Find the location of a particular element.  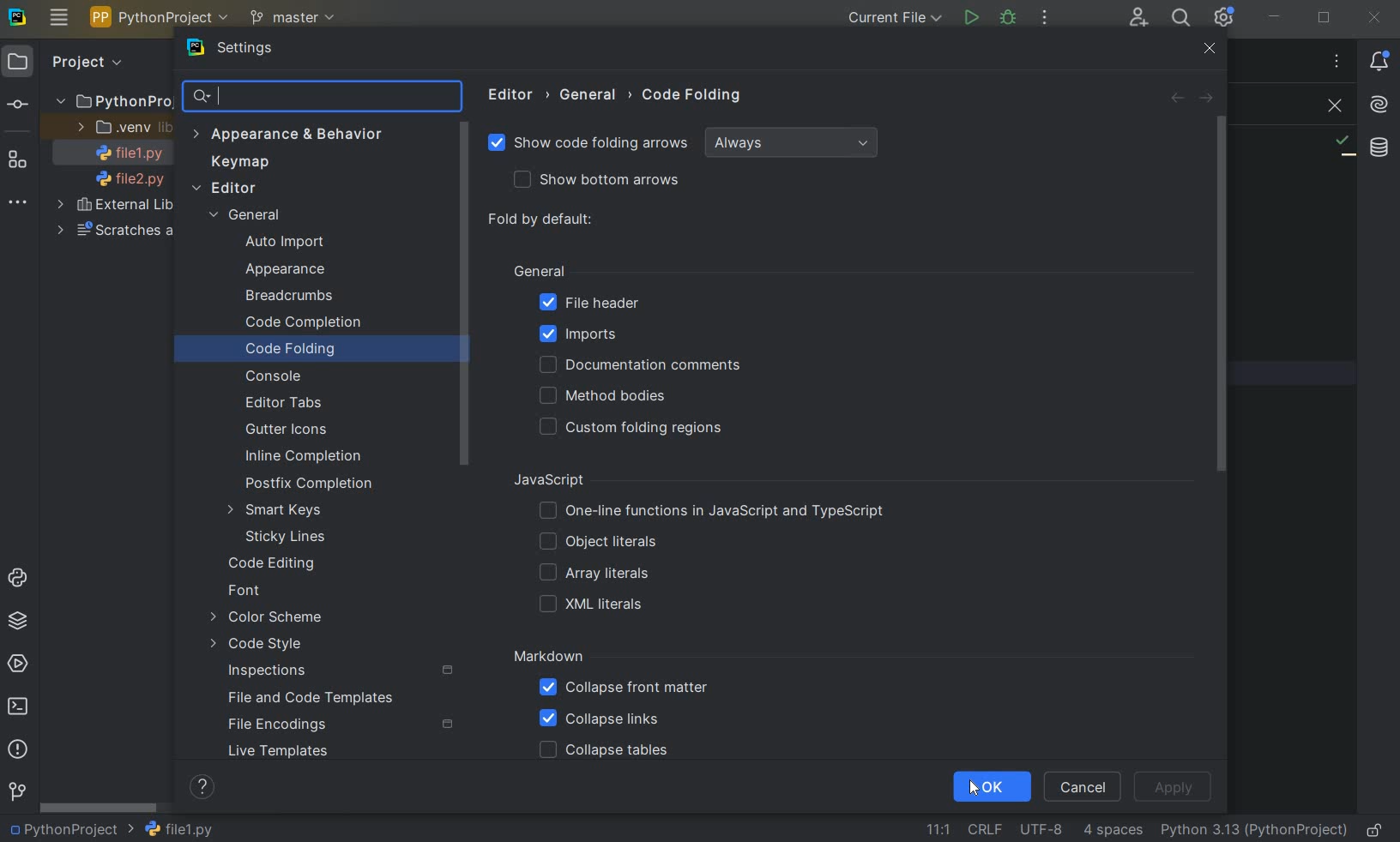

ONE-LINE FUNCTIONS IN JAVASCRIPT AND TYPESCRIPT is located at coordinates (714, 511).